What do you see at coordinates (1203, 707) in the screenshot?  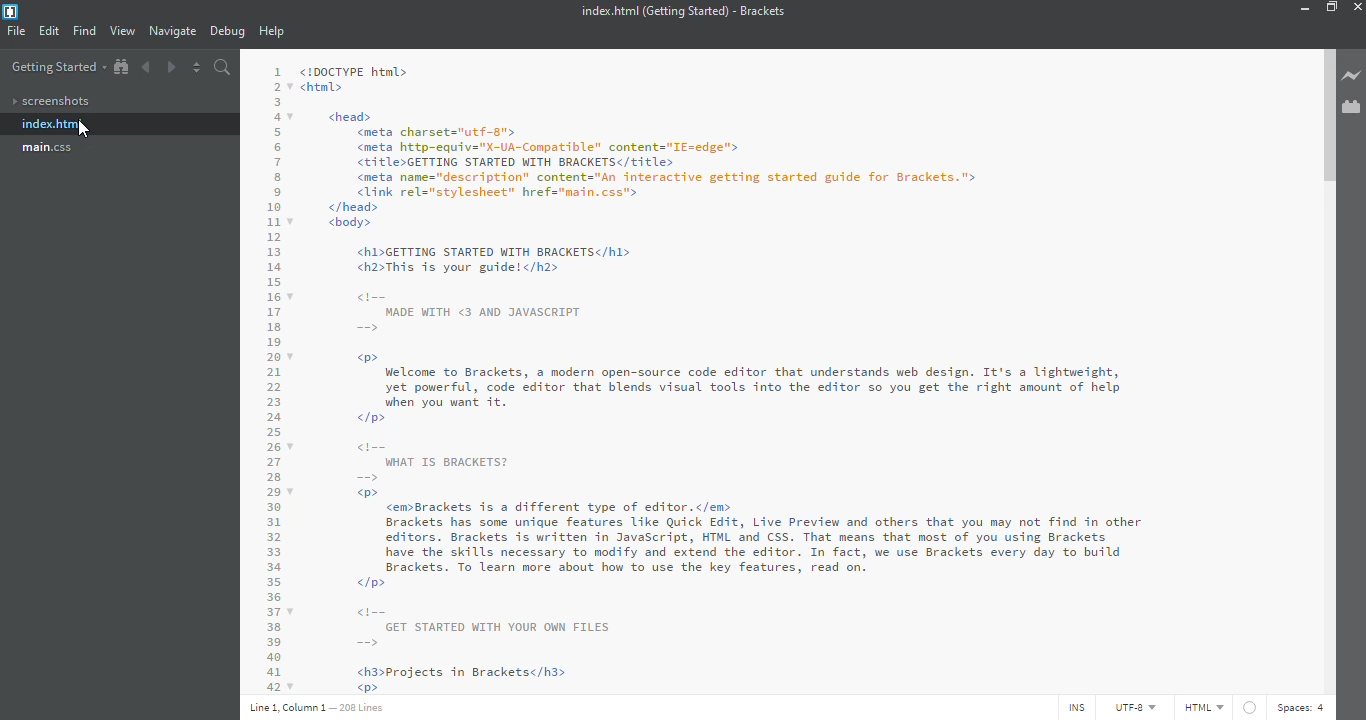 I see `html` at bounding box center [1203, 707].